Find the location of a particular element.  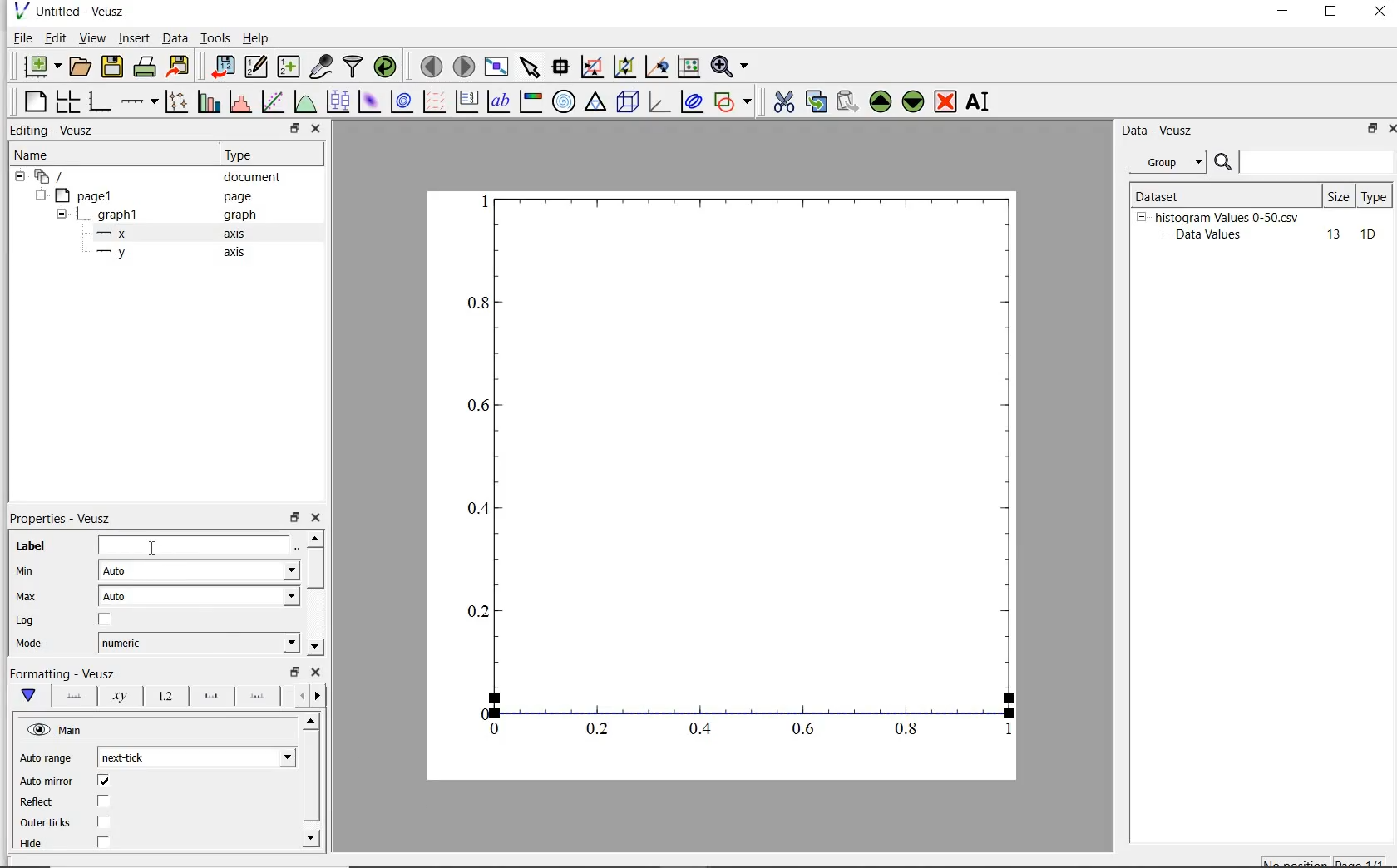

document is located at coordinates (253, 179).